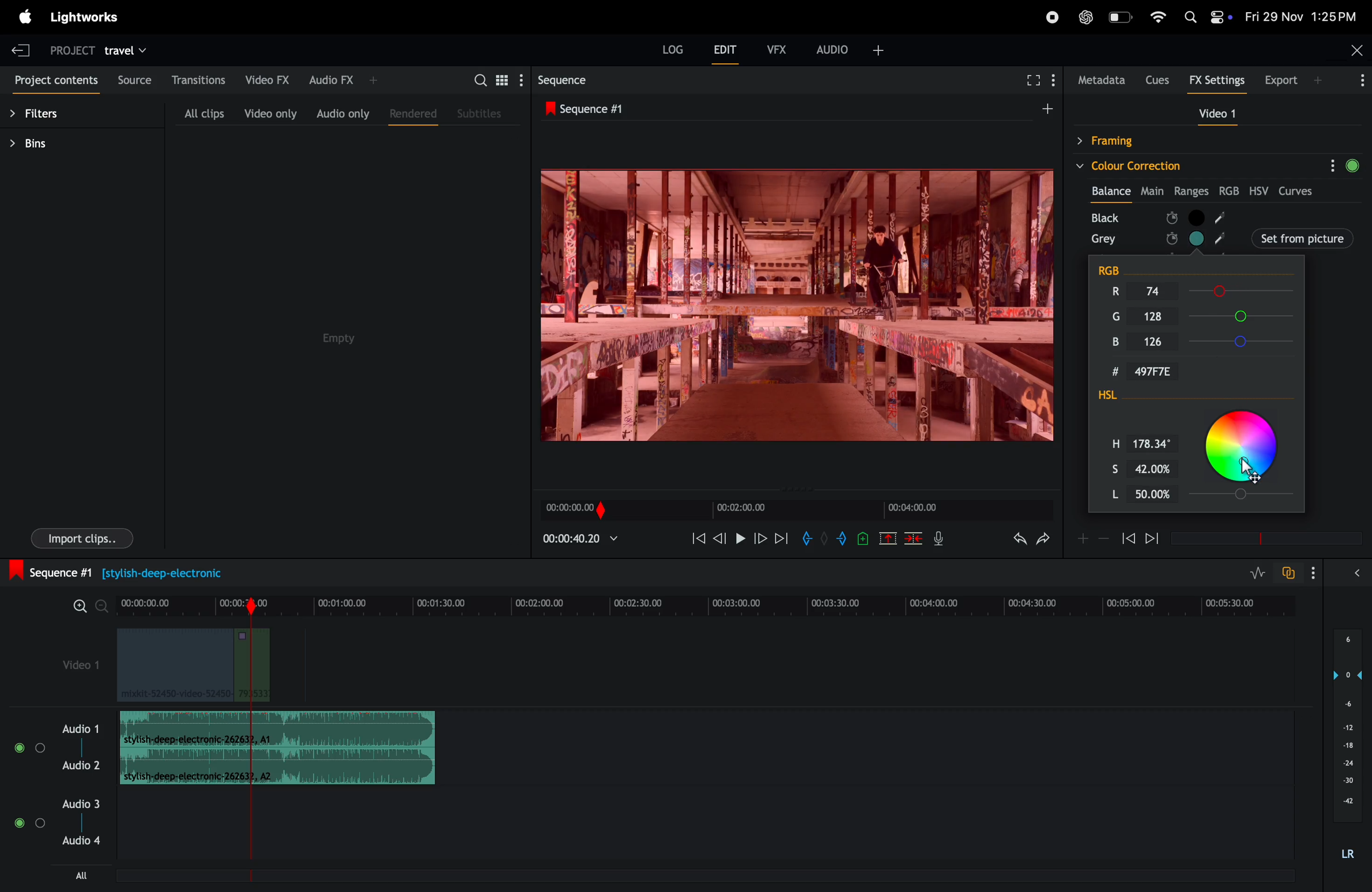 This screenshot has height=892, width=1372. What do you see at coordinates (1092, 538) in the screenshot?
I see `zoom in zoom out` at bounding box center [1092, 538].